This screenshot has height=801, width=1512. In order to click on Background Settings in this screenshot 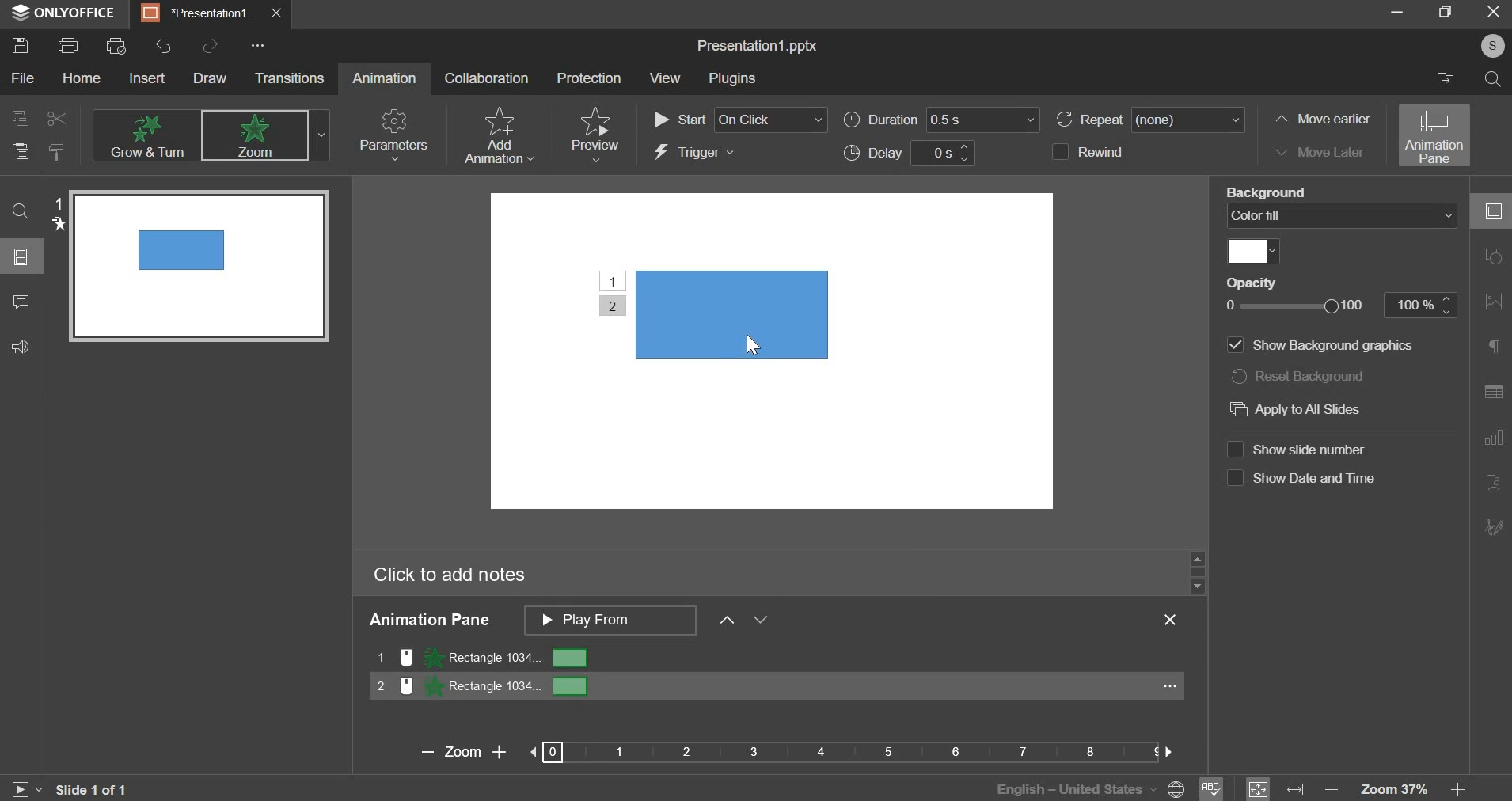, I will do `click(1493, 301)`.